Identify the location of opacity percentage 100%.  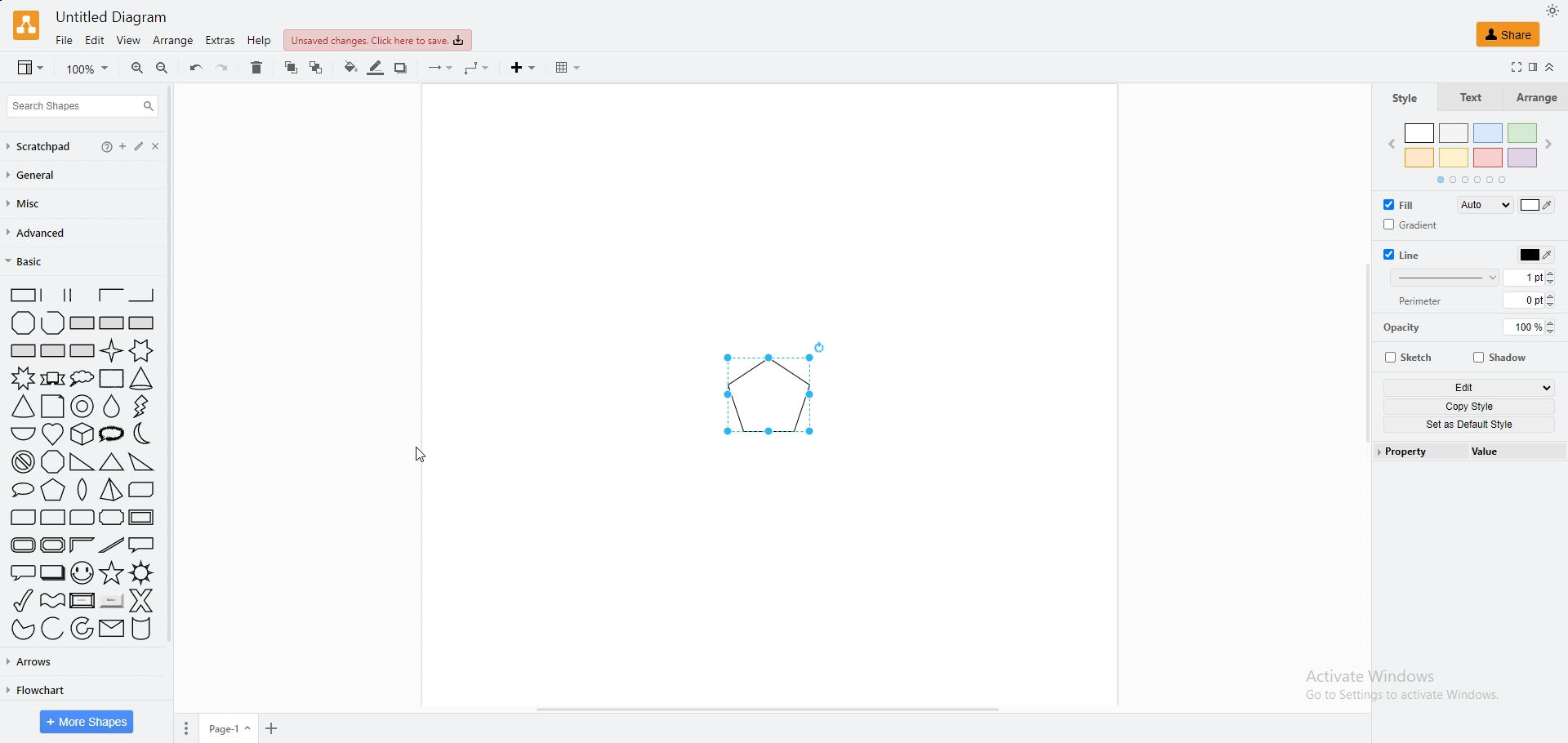
(1523, 327).